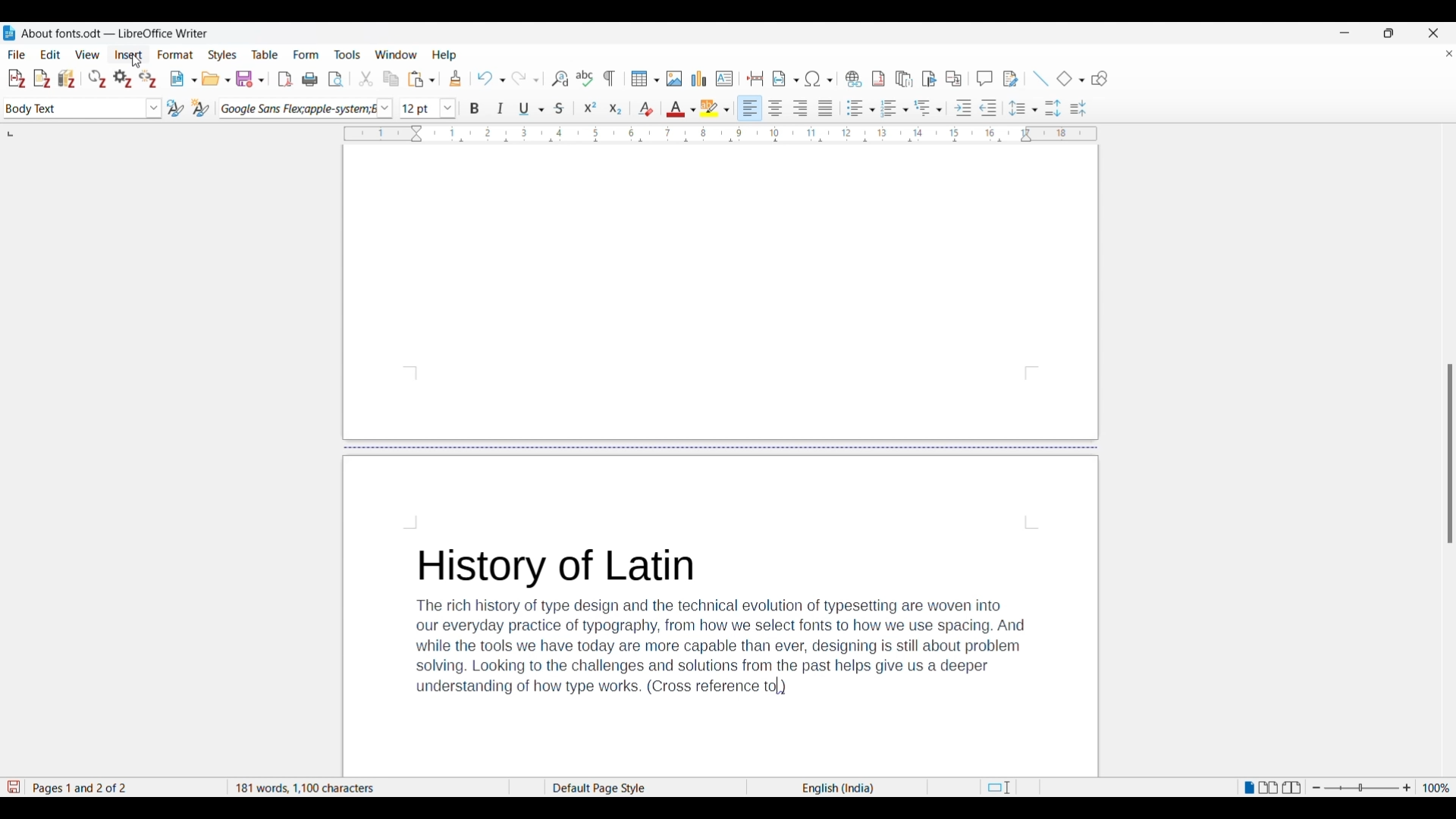 This screenshot has width=1456, height=819. Describe the element at coordinates (366, 78) in the screenshot. I see `Cut` at that location.